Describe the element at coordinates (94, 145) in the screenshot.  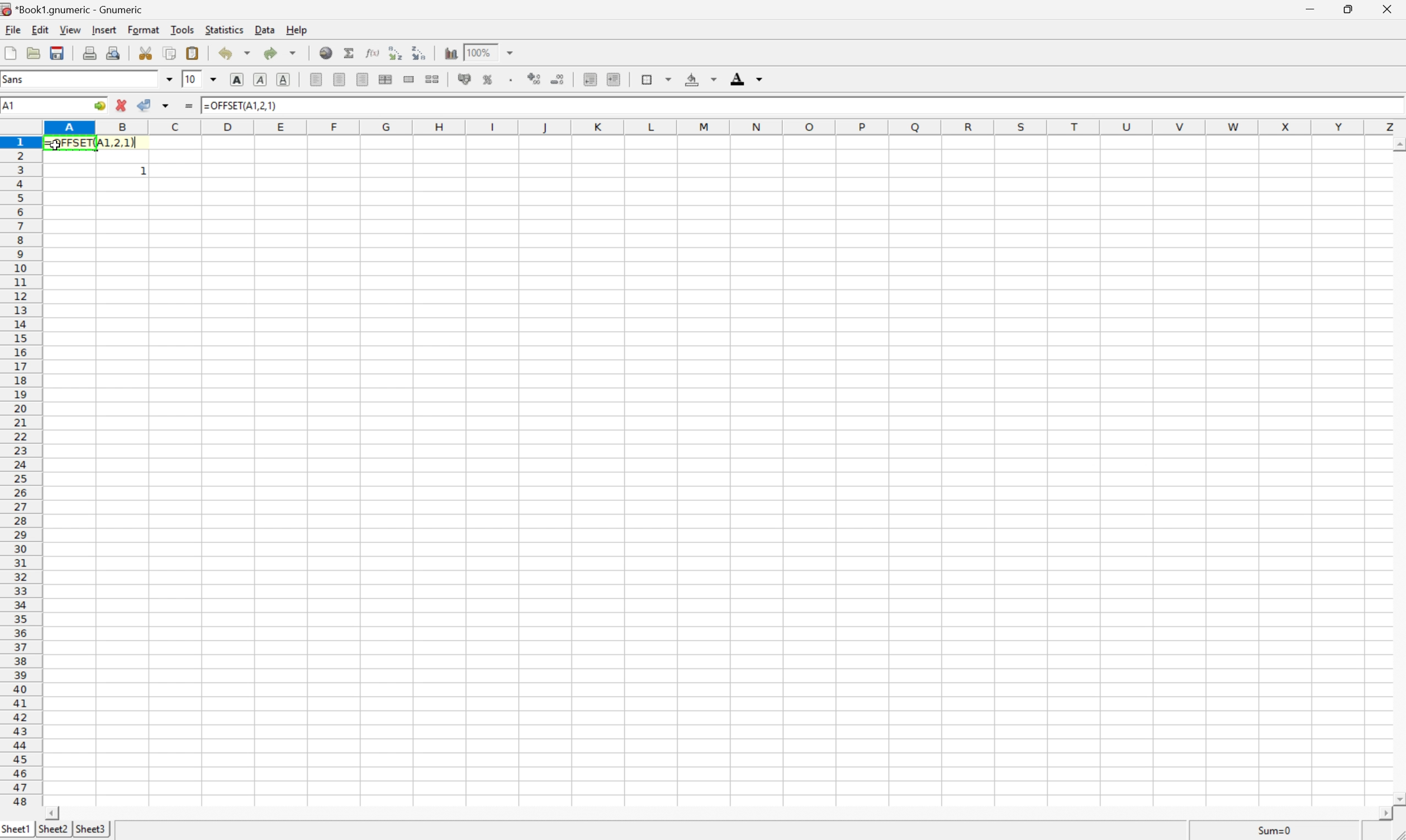
I see `=OFFSET(A1,2,1)` at that location.